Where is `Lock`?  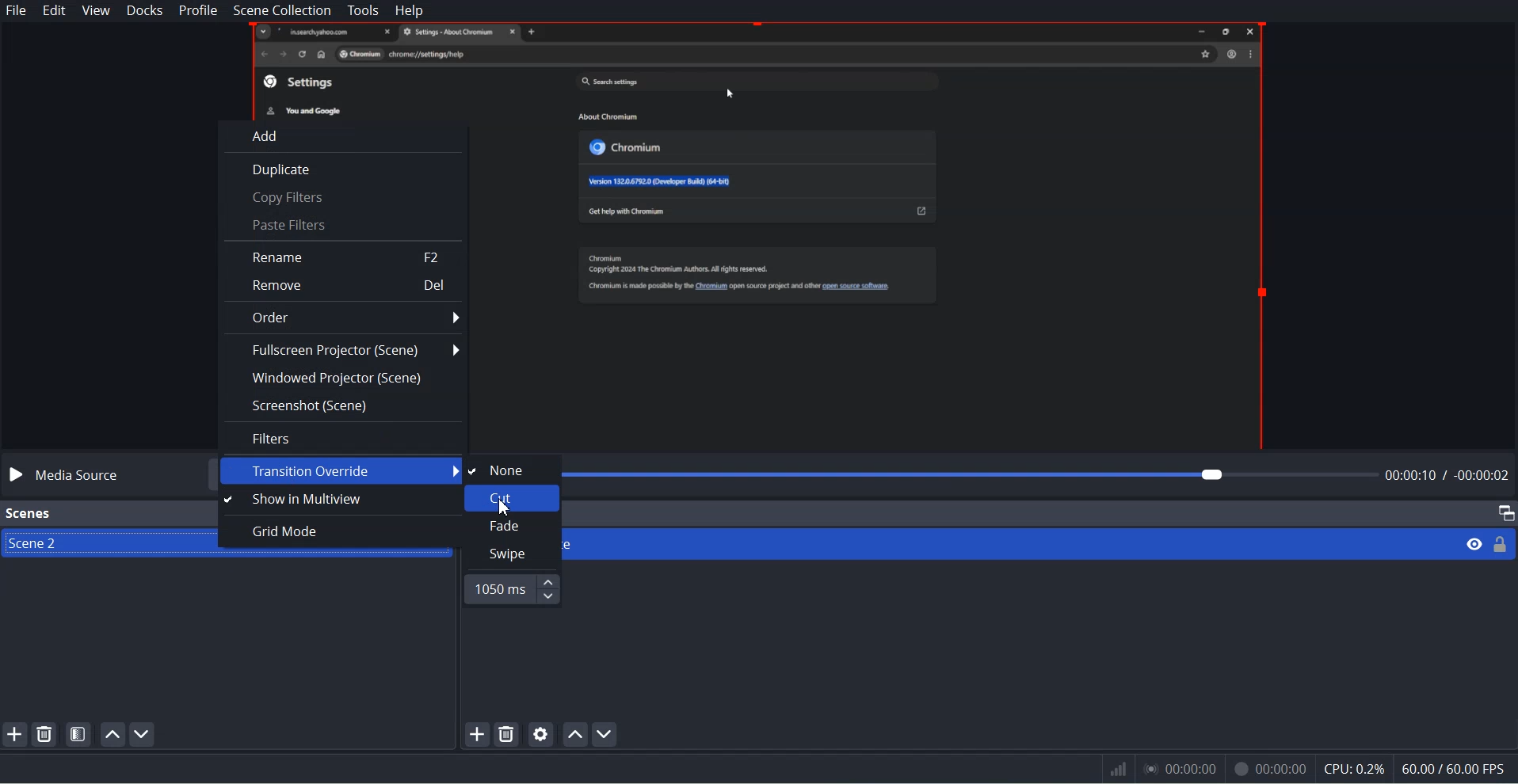
Lock is located at coordinates (1501, 543).